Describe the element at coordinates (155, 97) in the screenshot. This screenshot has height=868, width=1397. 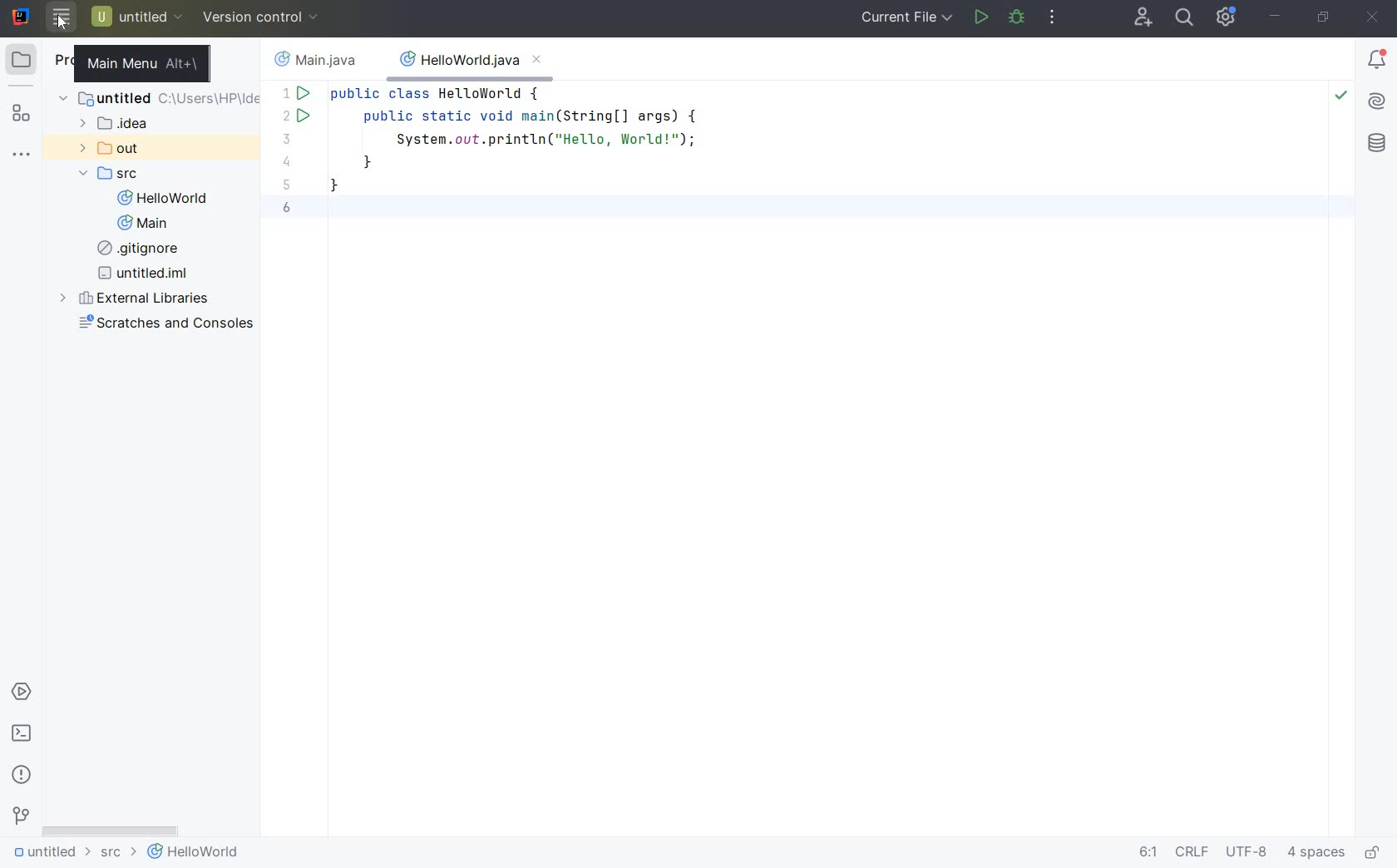
I see `untitled` at that location.